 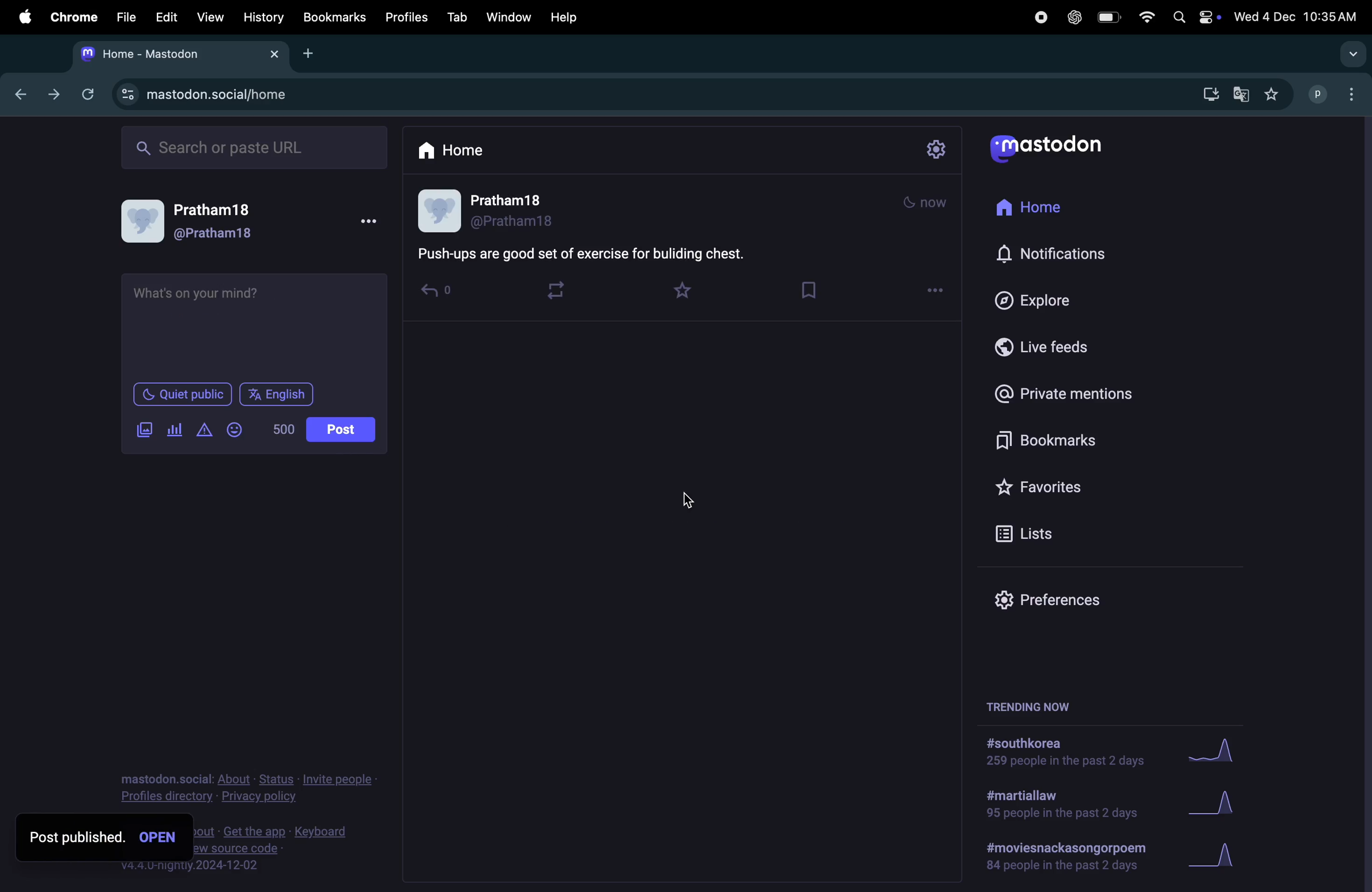 What do you see at coordinates (375, 222) in the screenshot?
I see `options` at bounding box center [375, 222].